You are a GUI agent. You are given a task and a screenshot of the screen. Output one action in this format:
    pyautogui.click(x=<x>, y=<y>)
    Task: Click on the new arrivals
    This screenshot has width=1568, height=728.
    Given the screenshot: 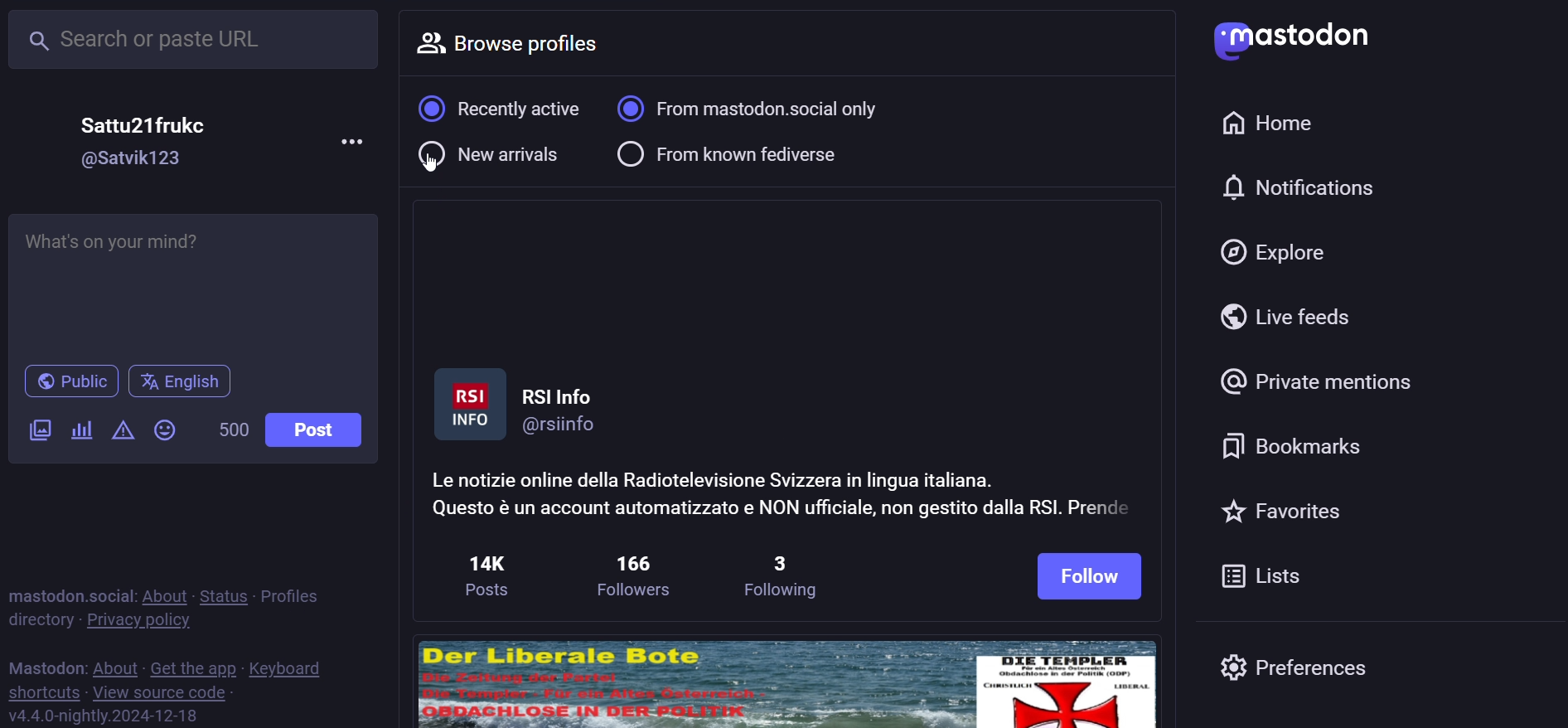 What is the action you would take?
    pyautogui.click(x=489, y=156)
    